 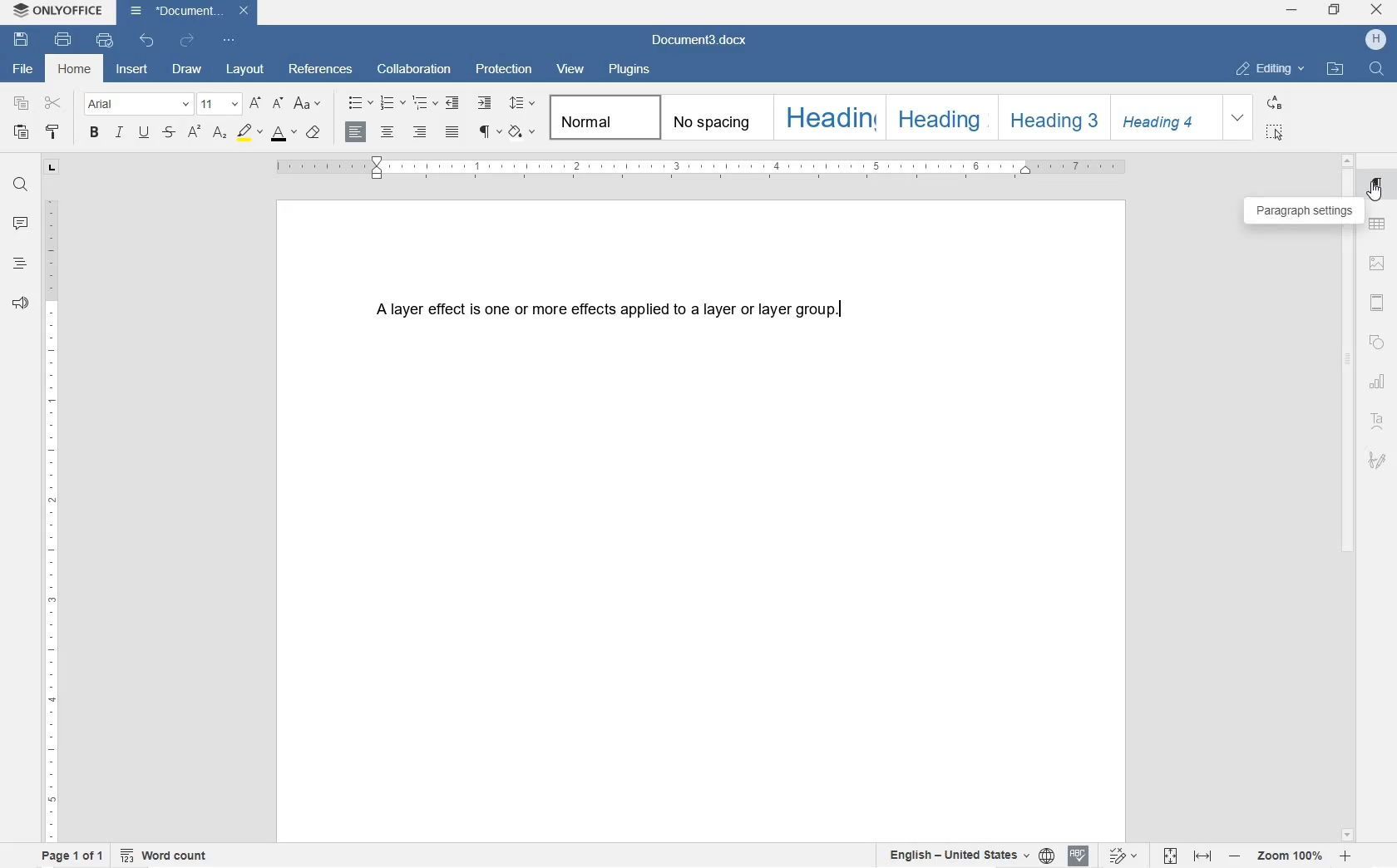 I want to click on INCREASE INDENT, so click(x=485, y=104).